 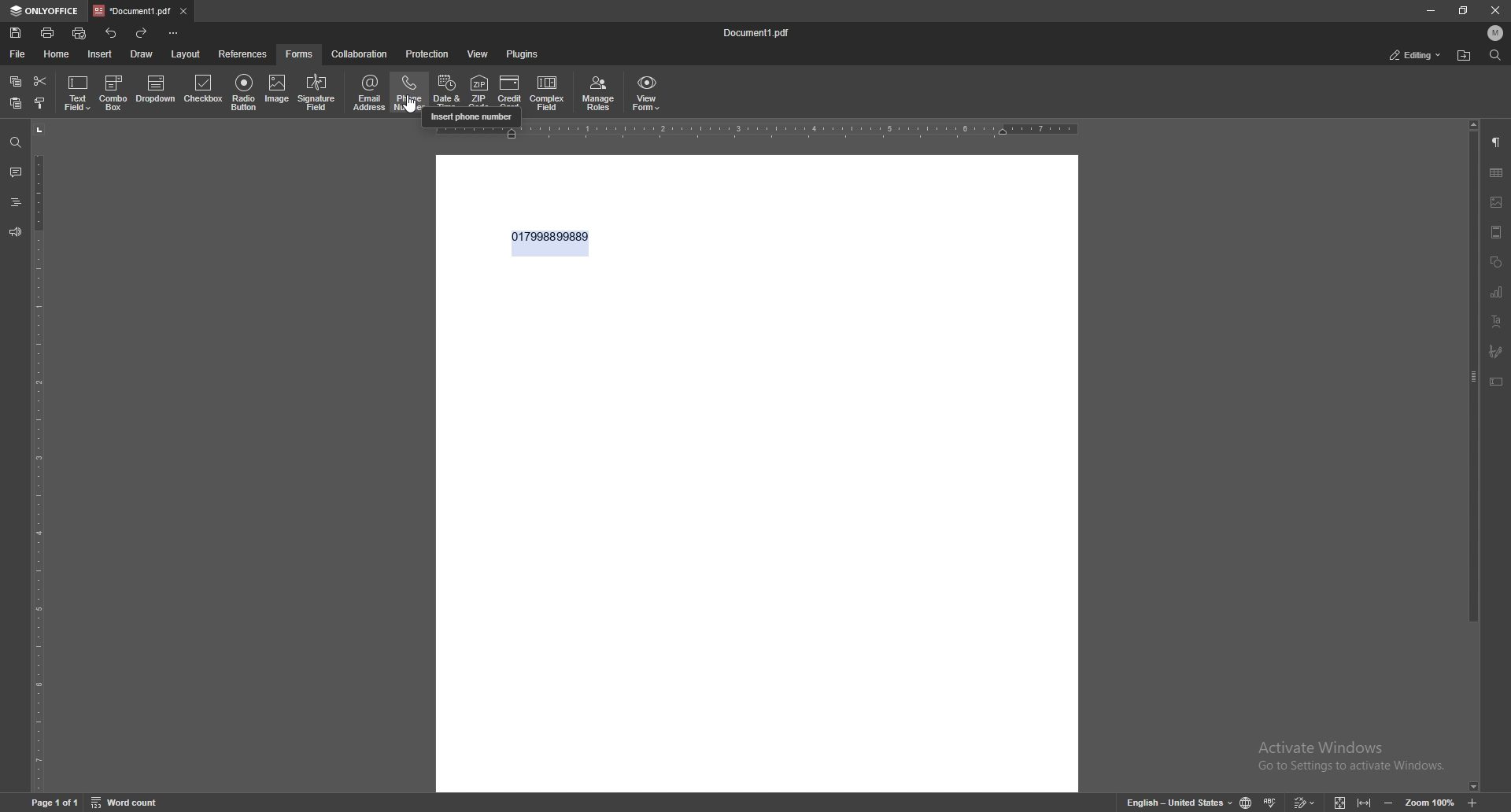 I want to click on feedback, so click(x=15, y=233).